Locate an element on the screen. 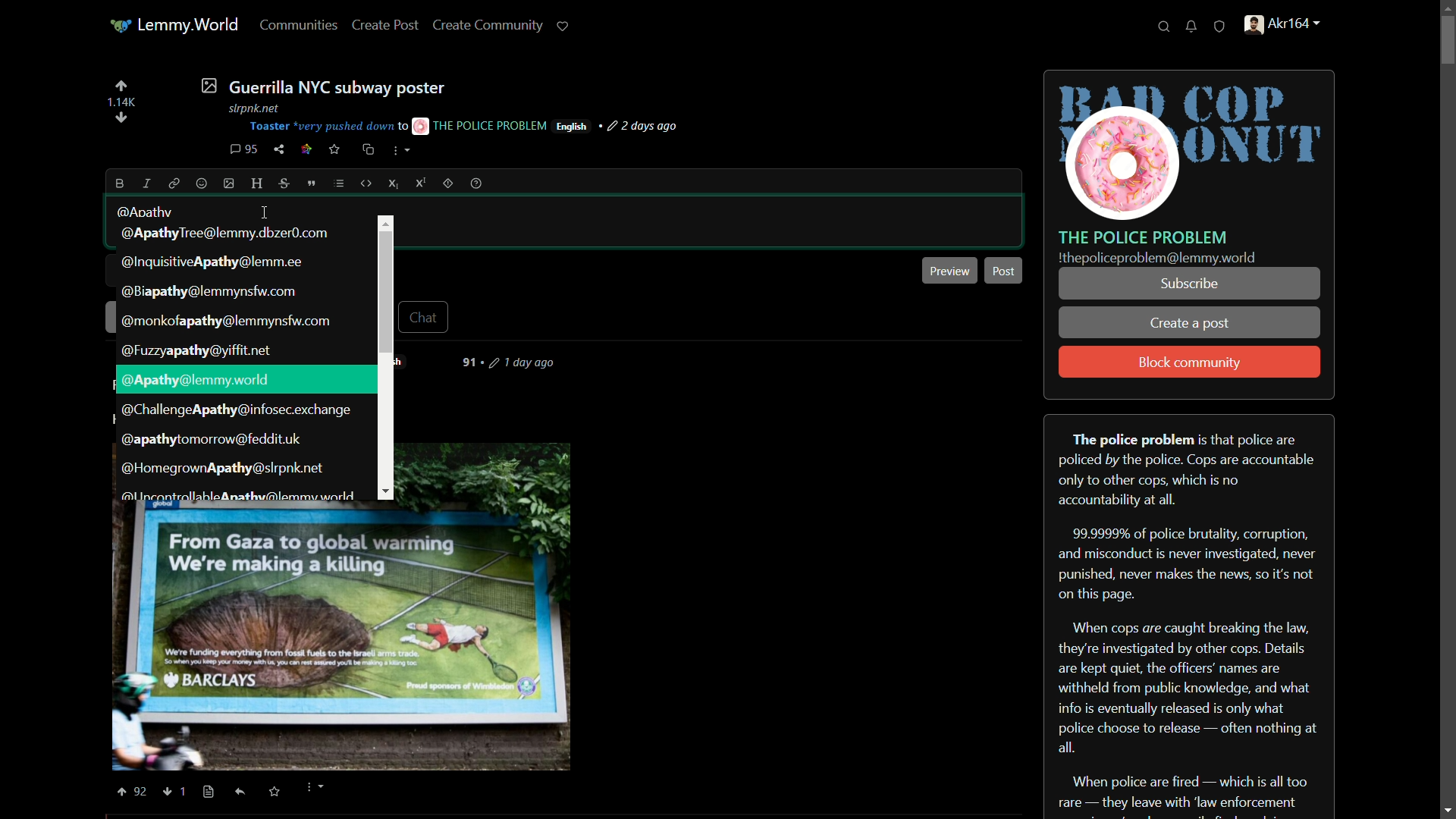 This screenshot has width=1456, height=819. text is located at coordinates (1157, 259).